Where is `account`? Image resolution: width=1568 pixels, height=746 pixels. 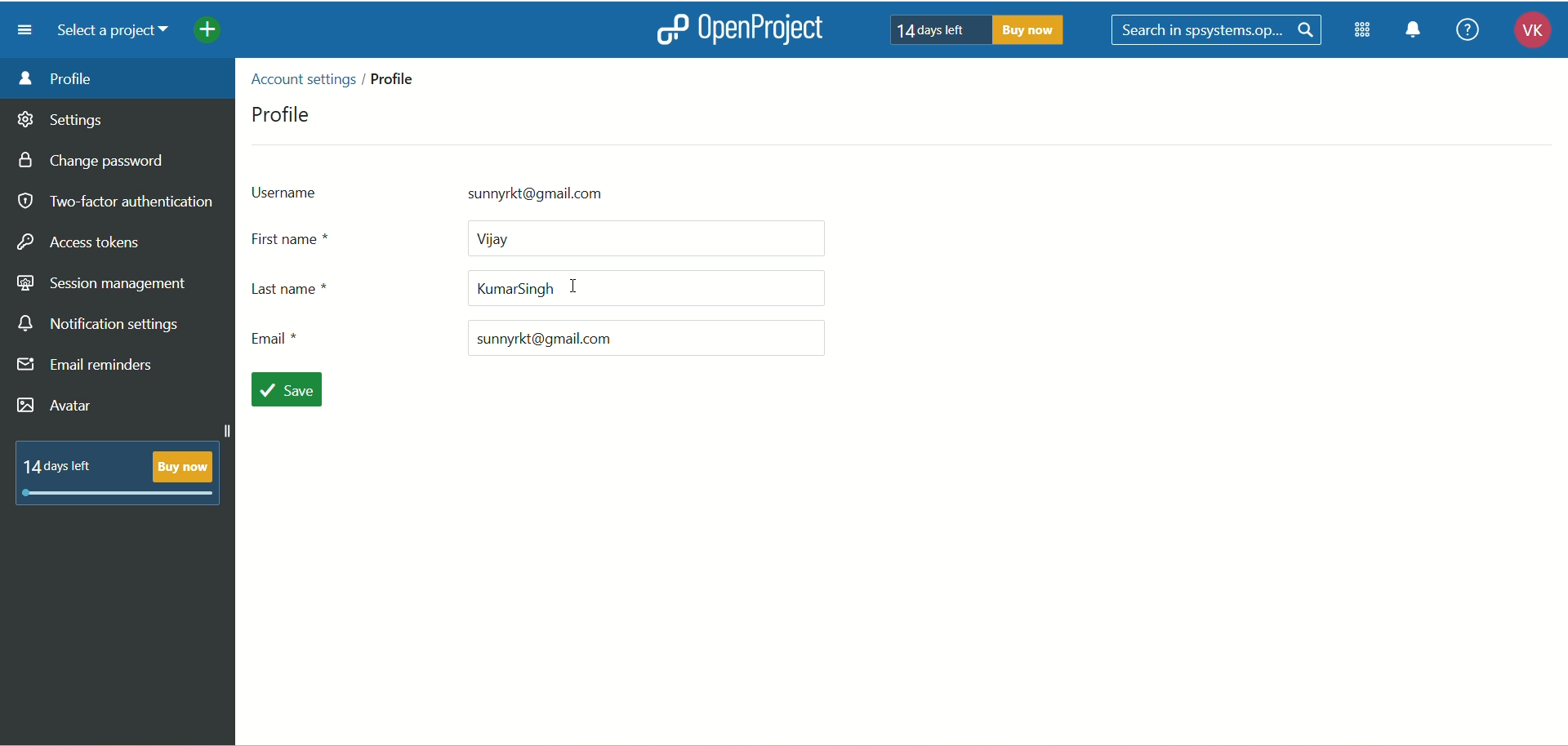
account is located at coordinates (1526, 33).